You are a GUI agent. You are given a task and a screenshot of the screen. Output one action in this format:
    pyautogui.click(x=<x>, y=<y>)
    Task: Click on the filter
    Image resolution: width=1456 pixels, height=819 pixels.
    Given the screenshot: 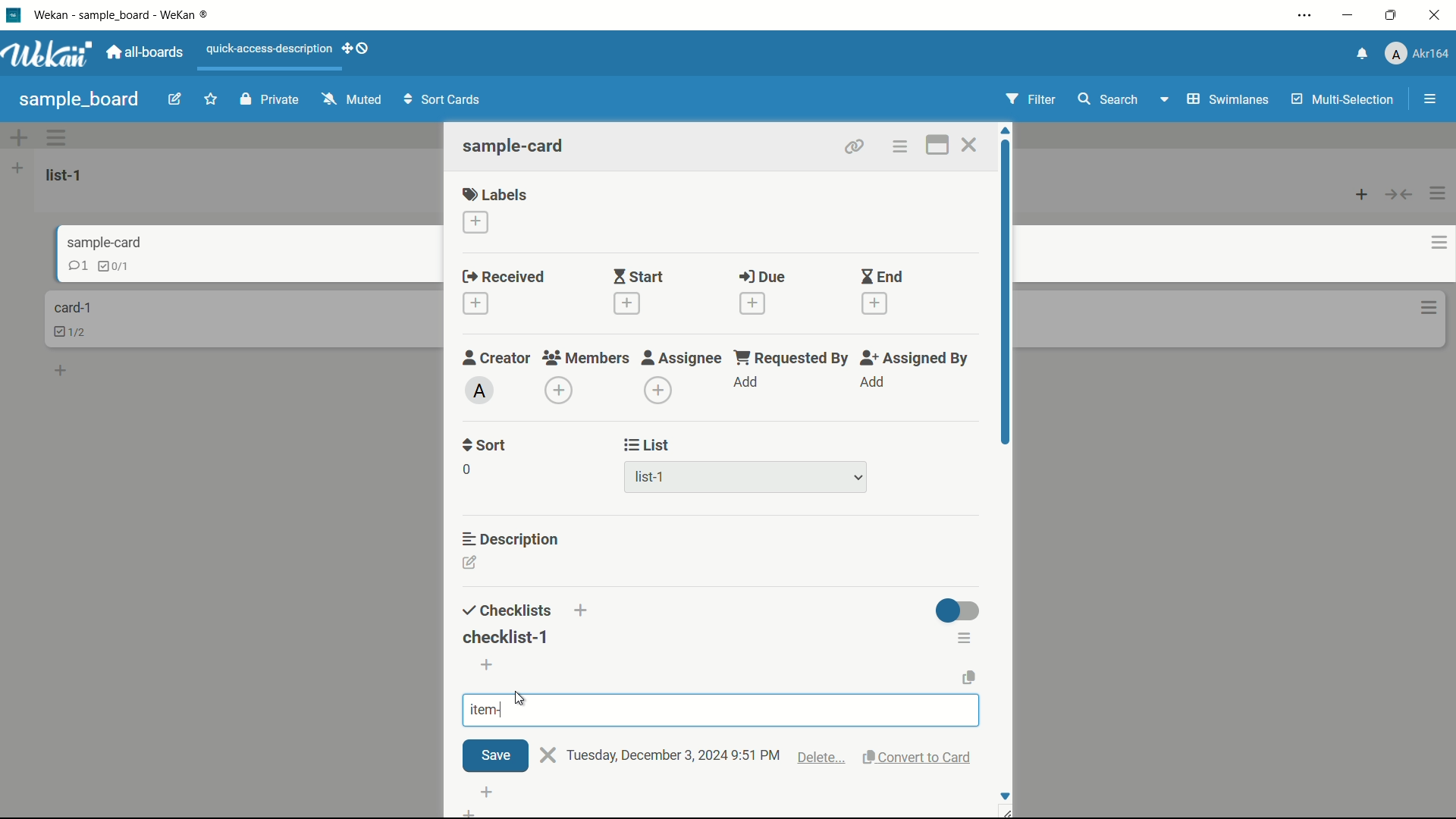 What is the action you would take?
    pyautogui.click(x=1031, y=99)
    